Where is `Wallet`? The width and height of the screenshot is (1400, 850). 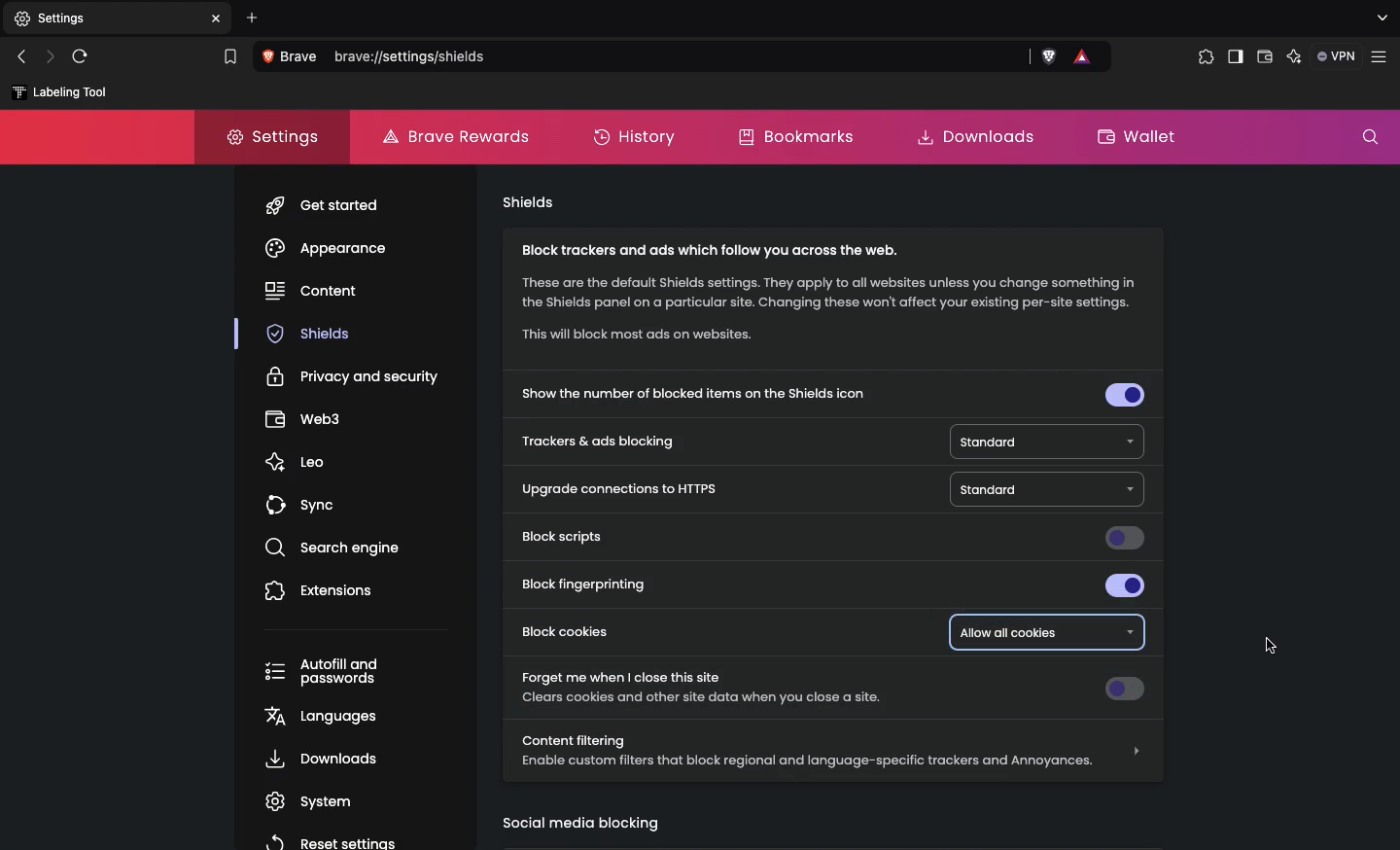 Wallet is located at coordinates (1265, 58).